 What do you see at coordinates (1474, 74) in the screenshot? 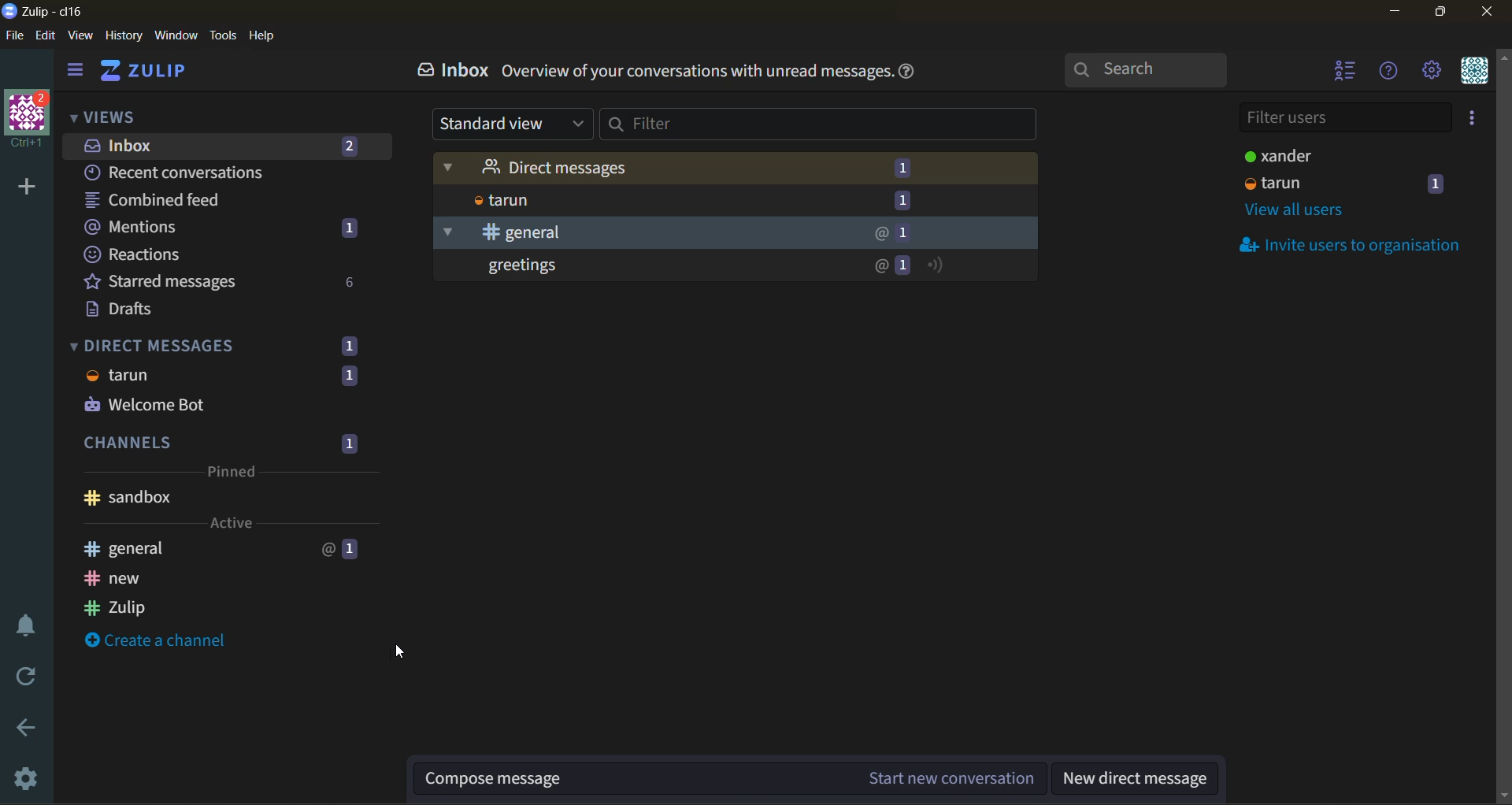
I see `personal menu` at bounding box center [1474, 74].